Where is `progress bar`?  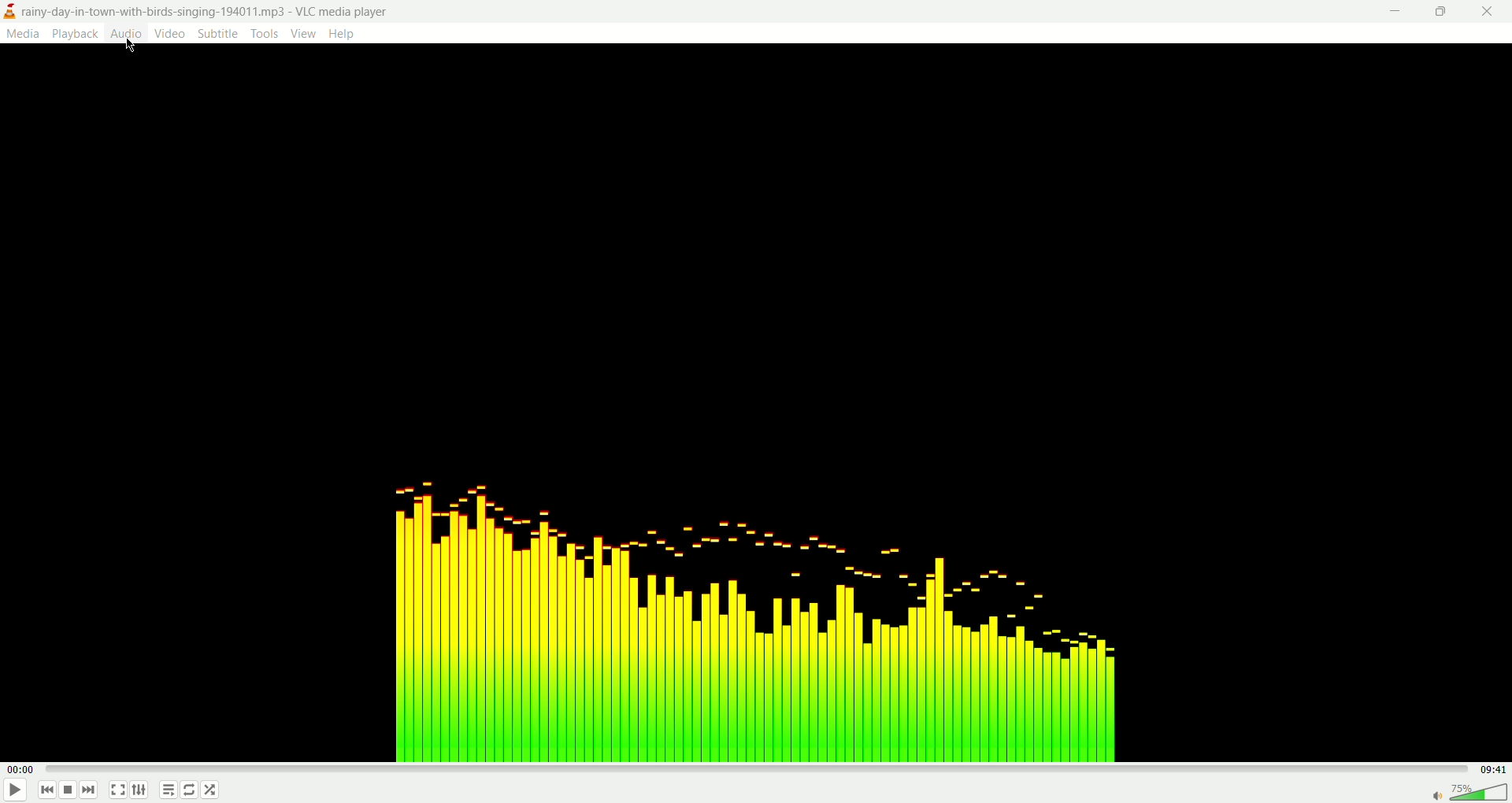 progress bar is located at coordinates (762, 769).